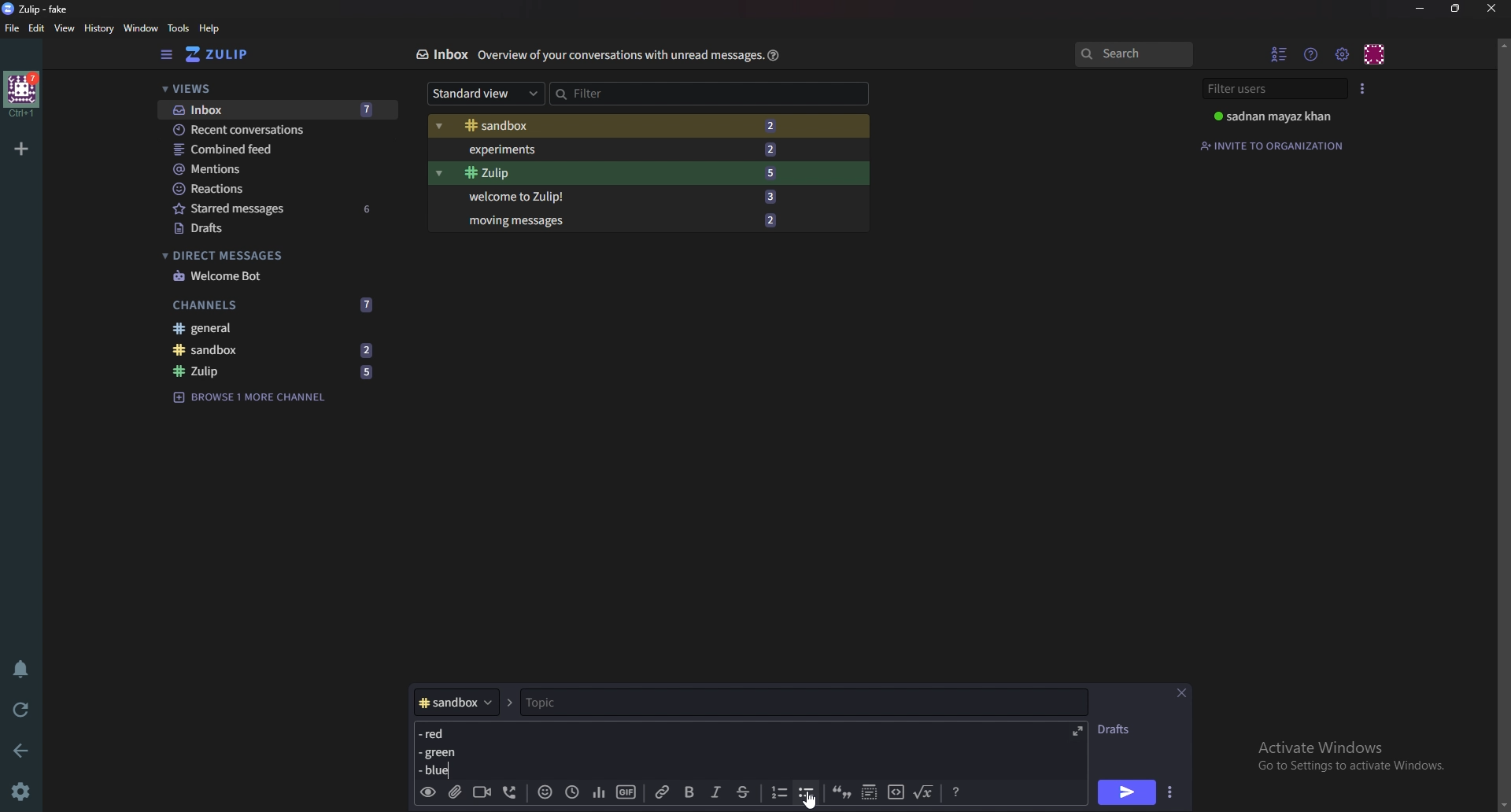  What do you see at coordinates (626, 792) in the screenshot?
I see `gif` at bounding box center [626, 792].